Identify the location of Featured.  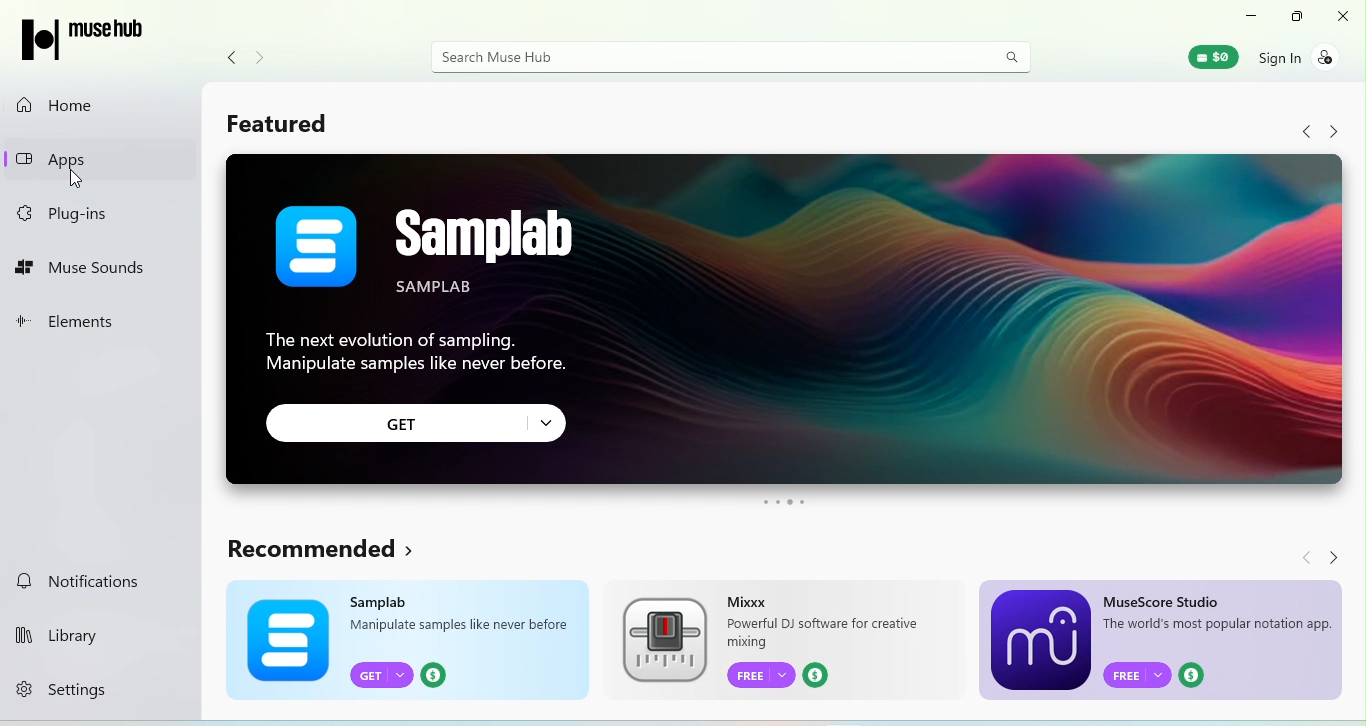
(295, 129).